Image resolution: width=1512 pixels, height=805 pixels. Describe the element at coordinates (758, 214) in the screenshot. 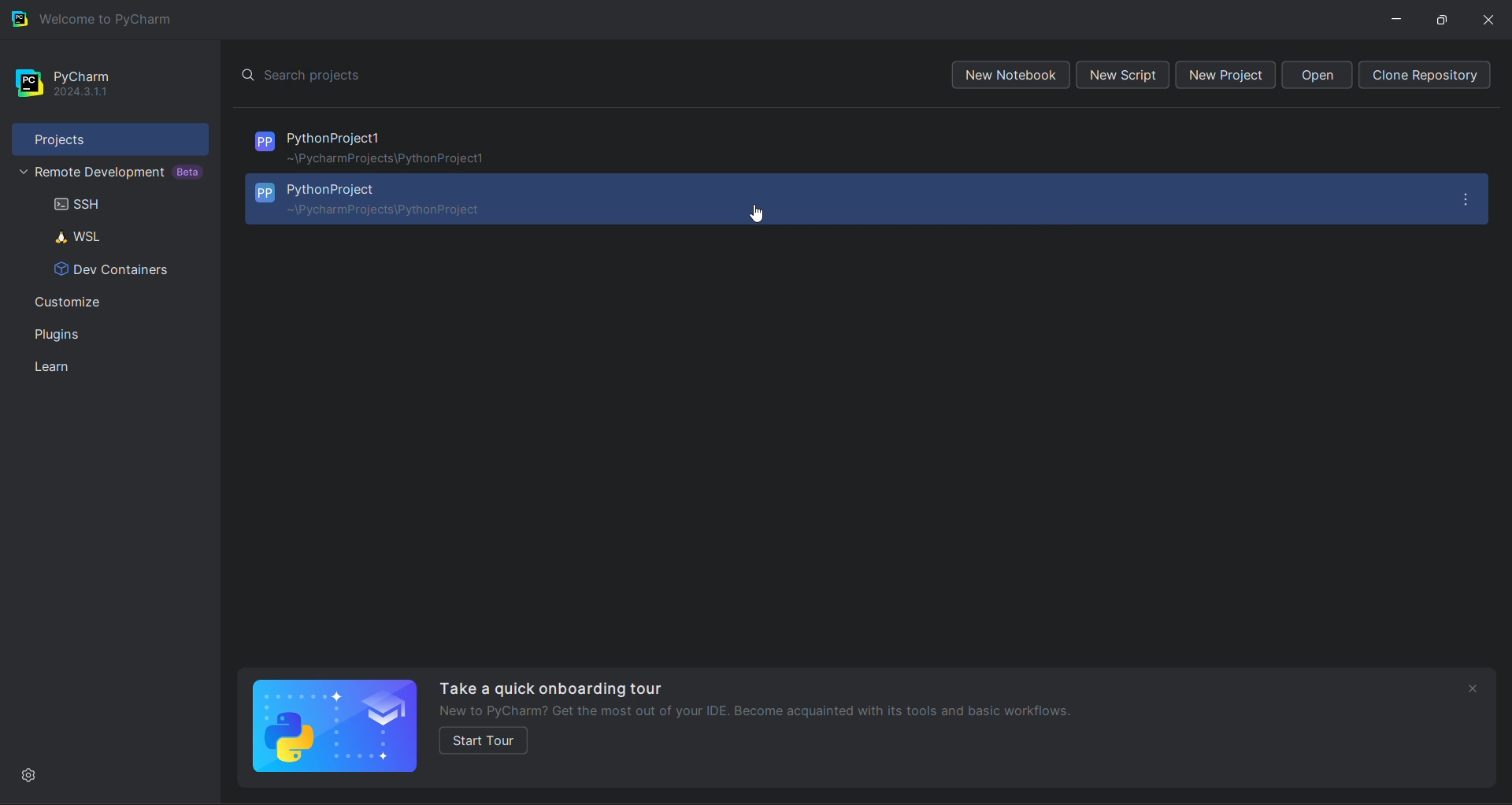

I see `cursor` at that location.